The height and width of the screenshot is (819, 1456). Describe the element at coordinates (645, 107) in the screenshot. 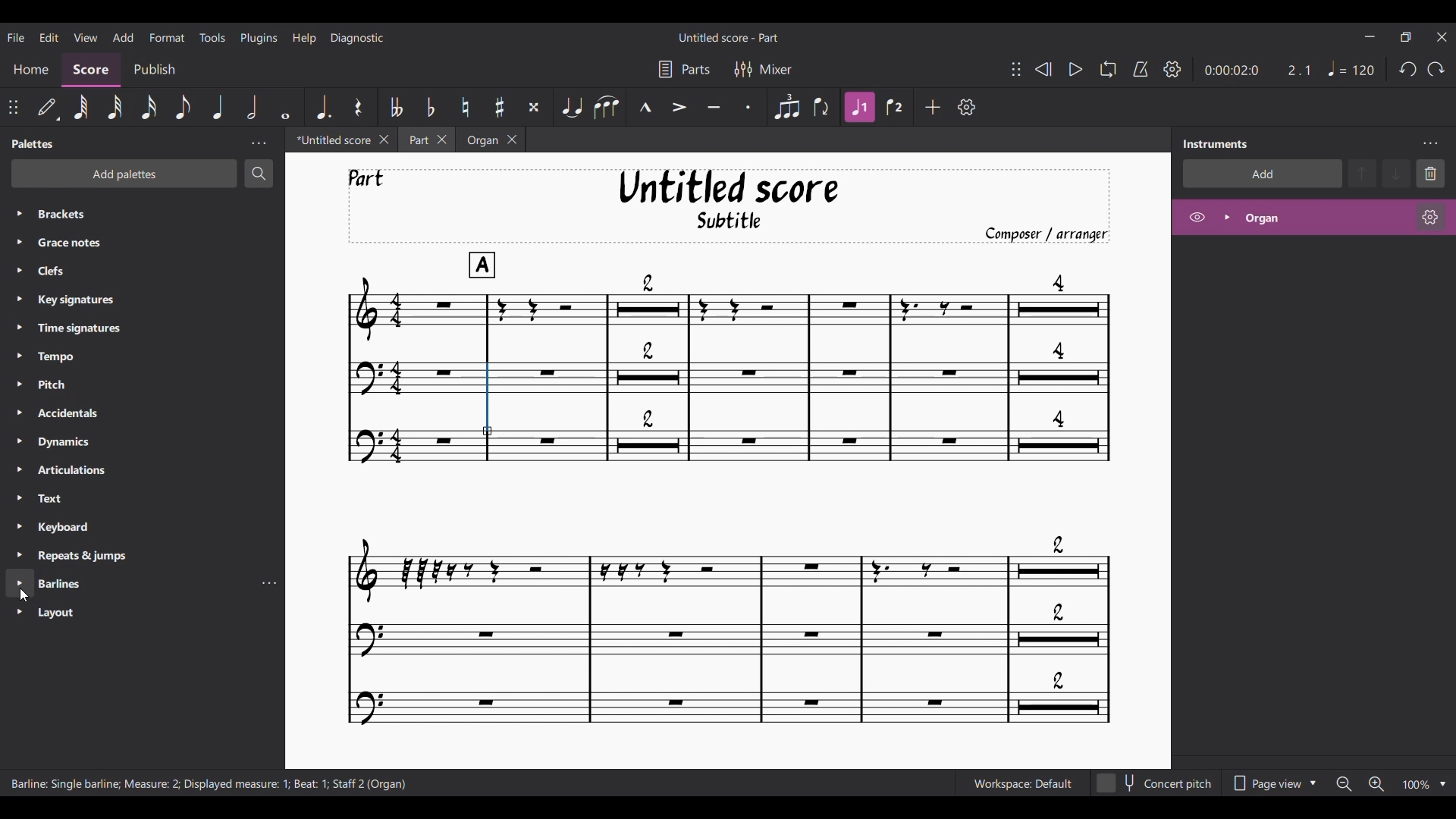

I see `Marcato` at that location.